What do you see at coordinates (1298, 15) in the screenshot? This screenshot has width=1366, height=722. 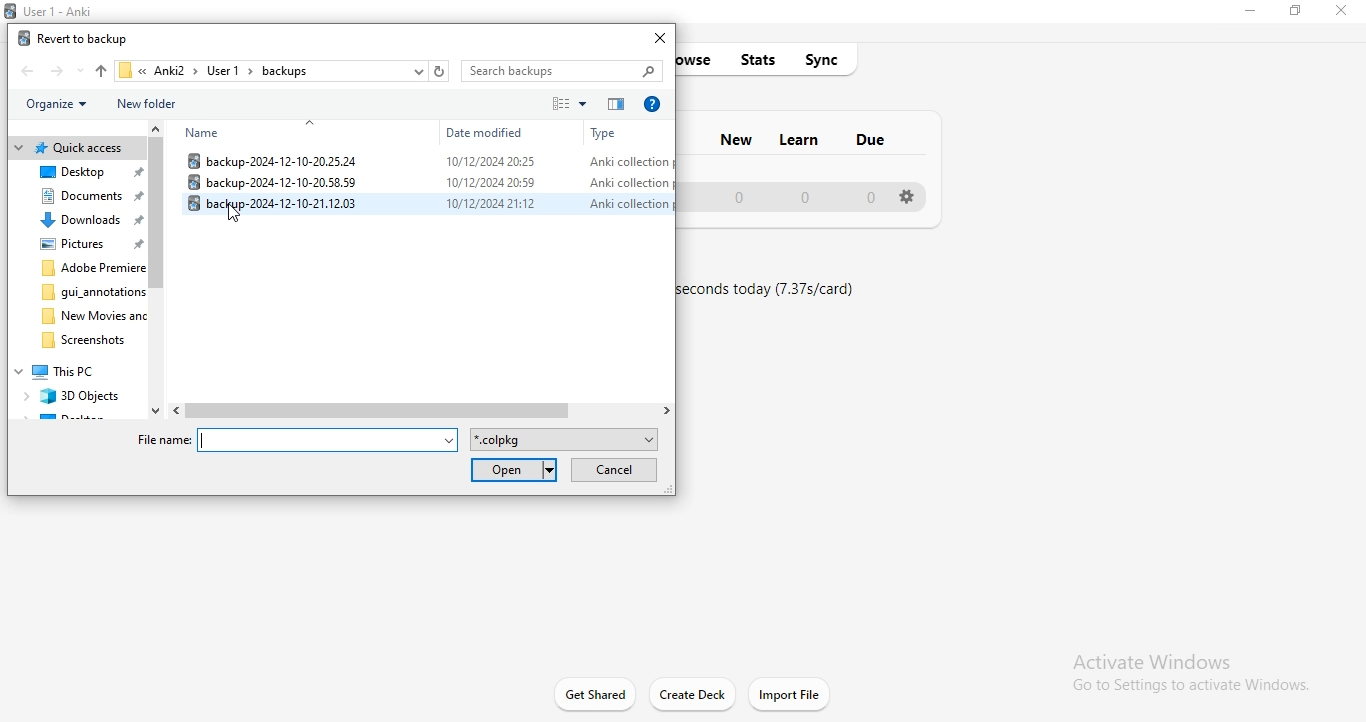 I see `restore` at bounding box center [1298, 15].